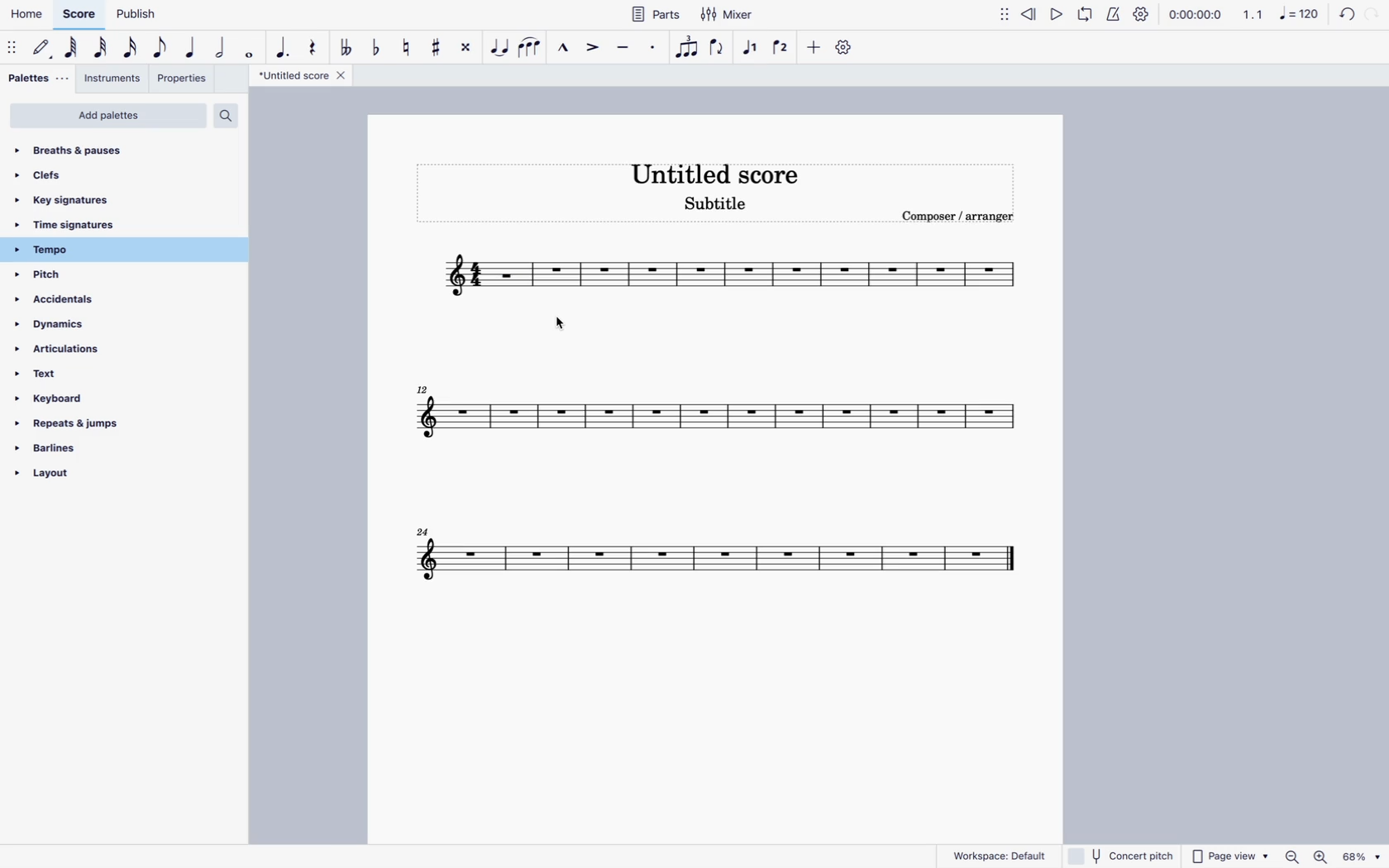 Image resolution: width=1389 pixels, height=868 pixels. What do you see at coordinates (685, 47) in the screenshot?
I see `tuplet` at bounding box center [685, 47].